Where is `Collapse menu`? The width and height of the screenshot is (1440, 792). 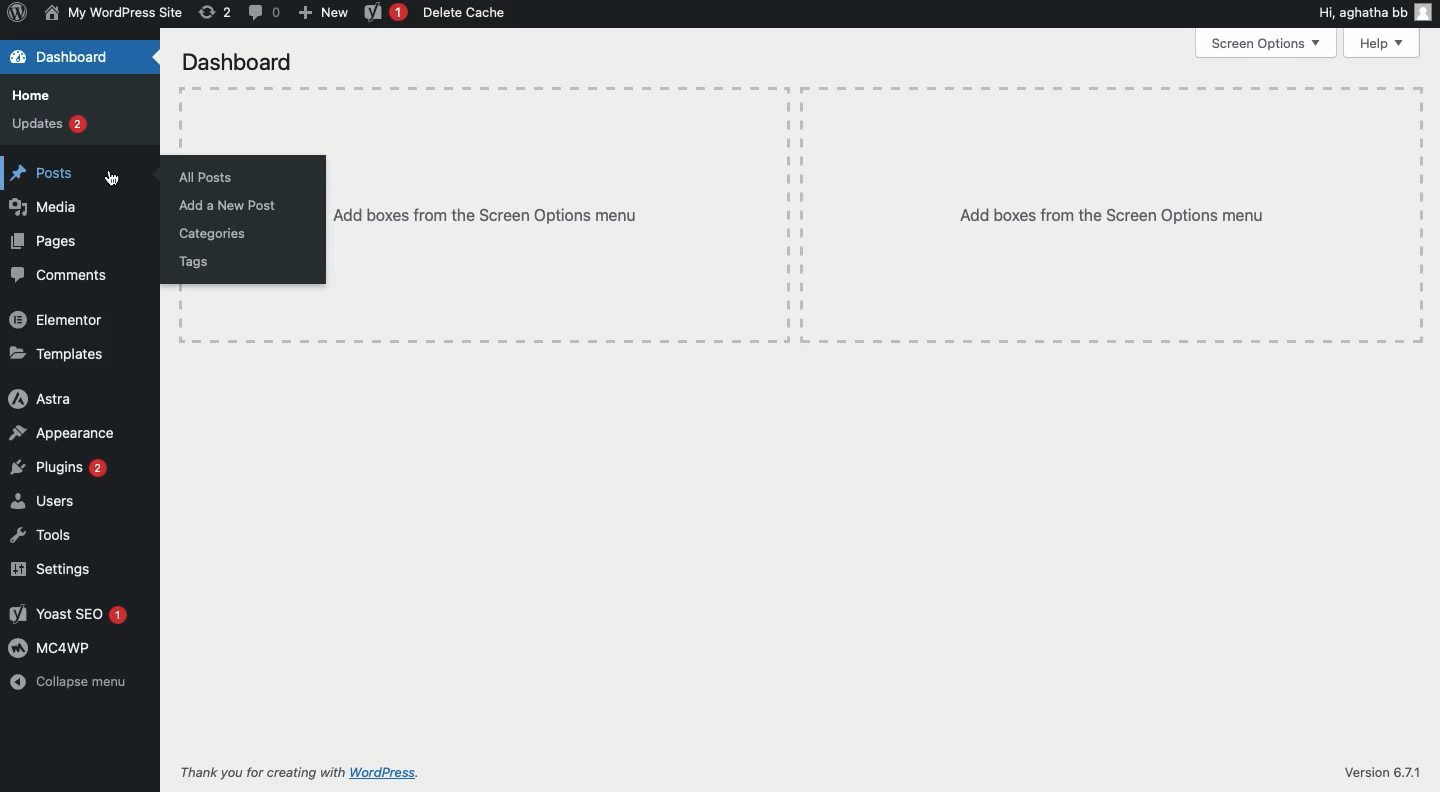 Collapse menu is located at coordinates (71, 682).